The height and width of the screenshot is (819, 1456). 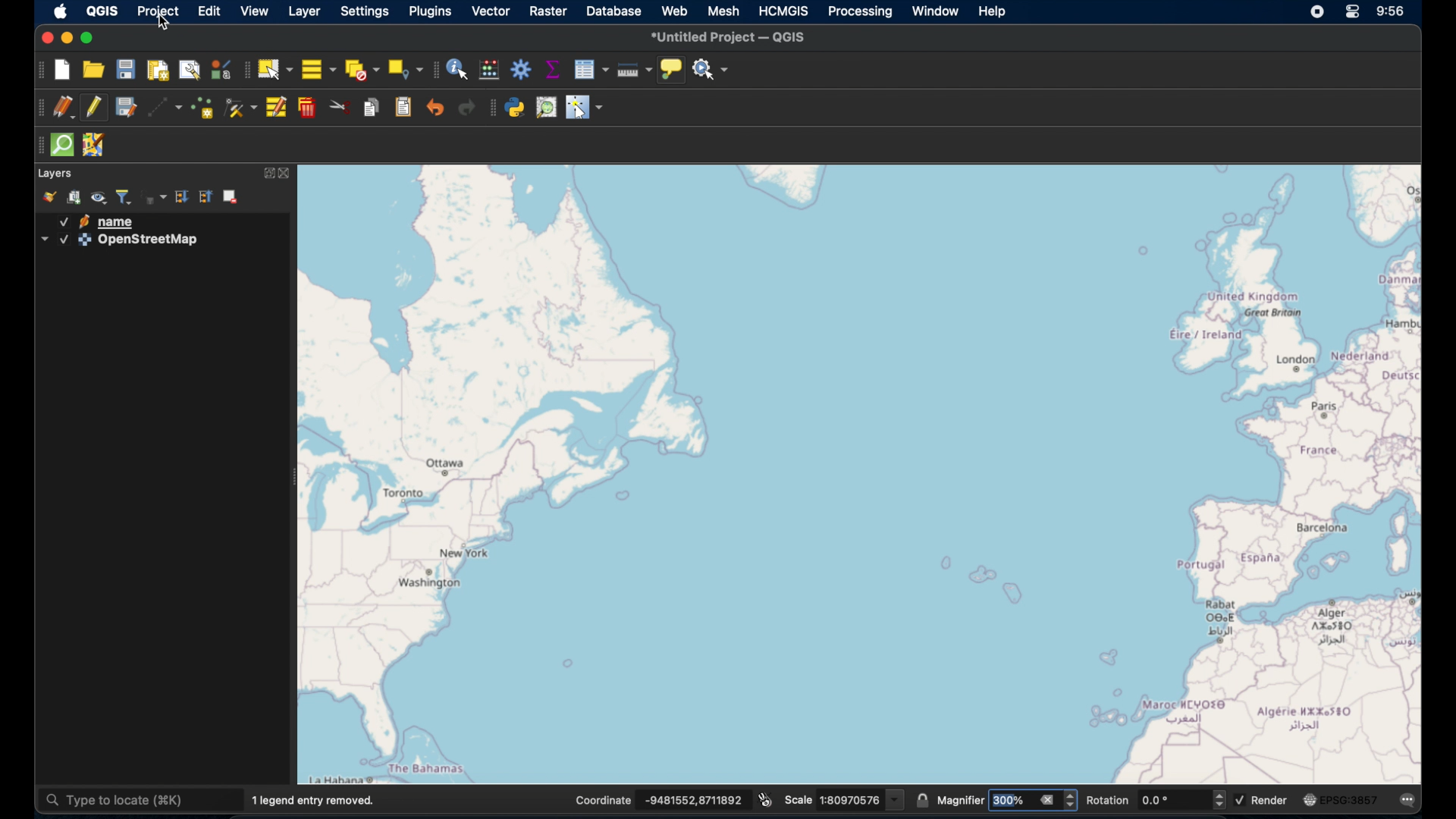 What do you see at coordinates (103, 221) in the screenshot?
I see `name` at bounding box center [103, 221].